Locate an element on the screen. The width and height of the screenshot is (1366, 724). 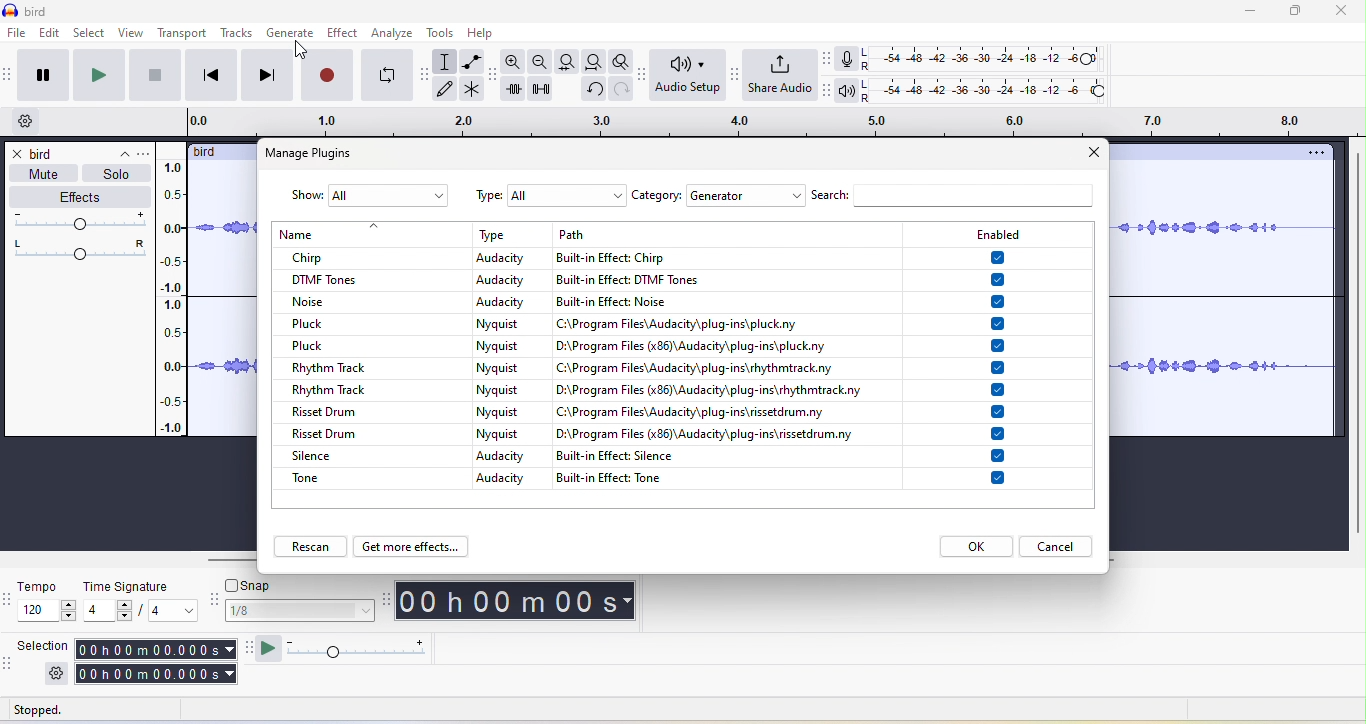
timeline option is located at coordinates (25, 123).